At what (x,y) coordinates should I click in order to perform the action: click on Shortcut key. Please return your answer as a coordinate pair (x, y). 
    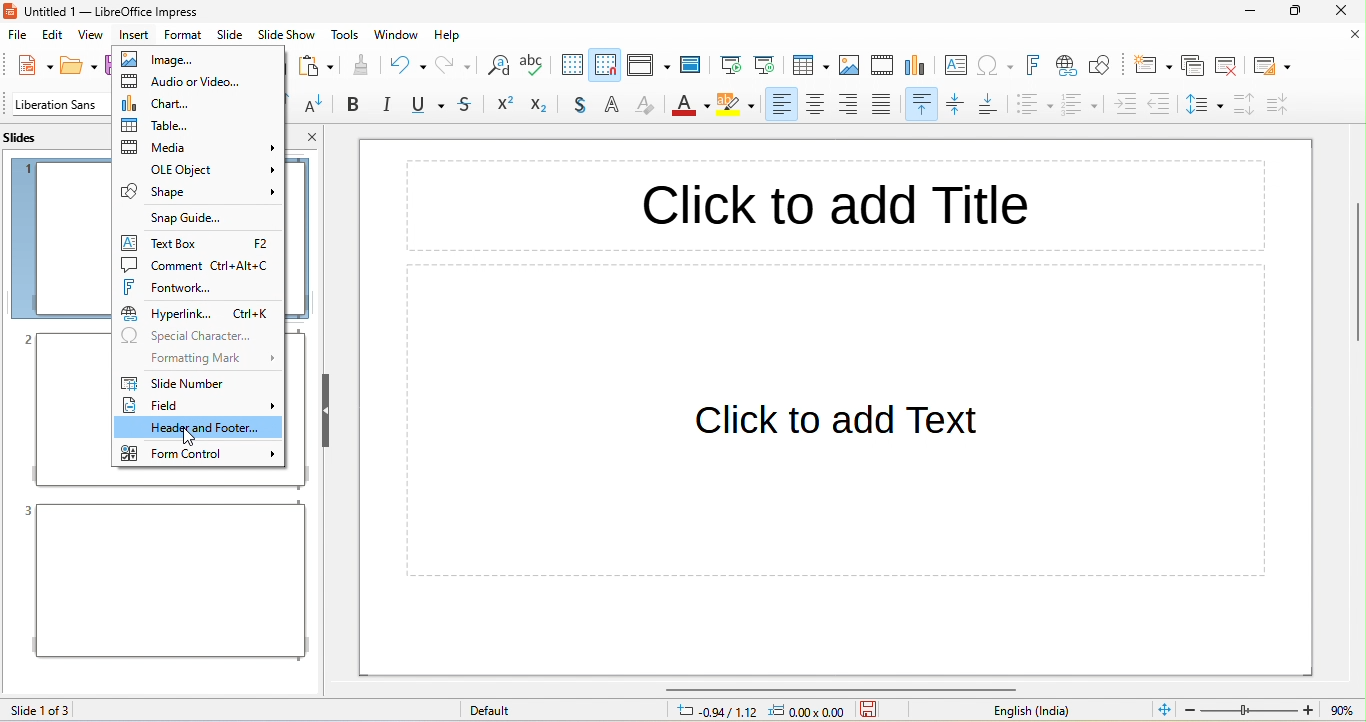
    Looking at the image, I should click on (260, 242).